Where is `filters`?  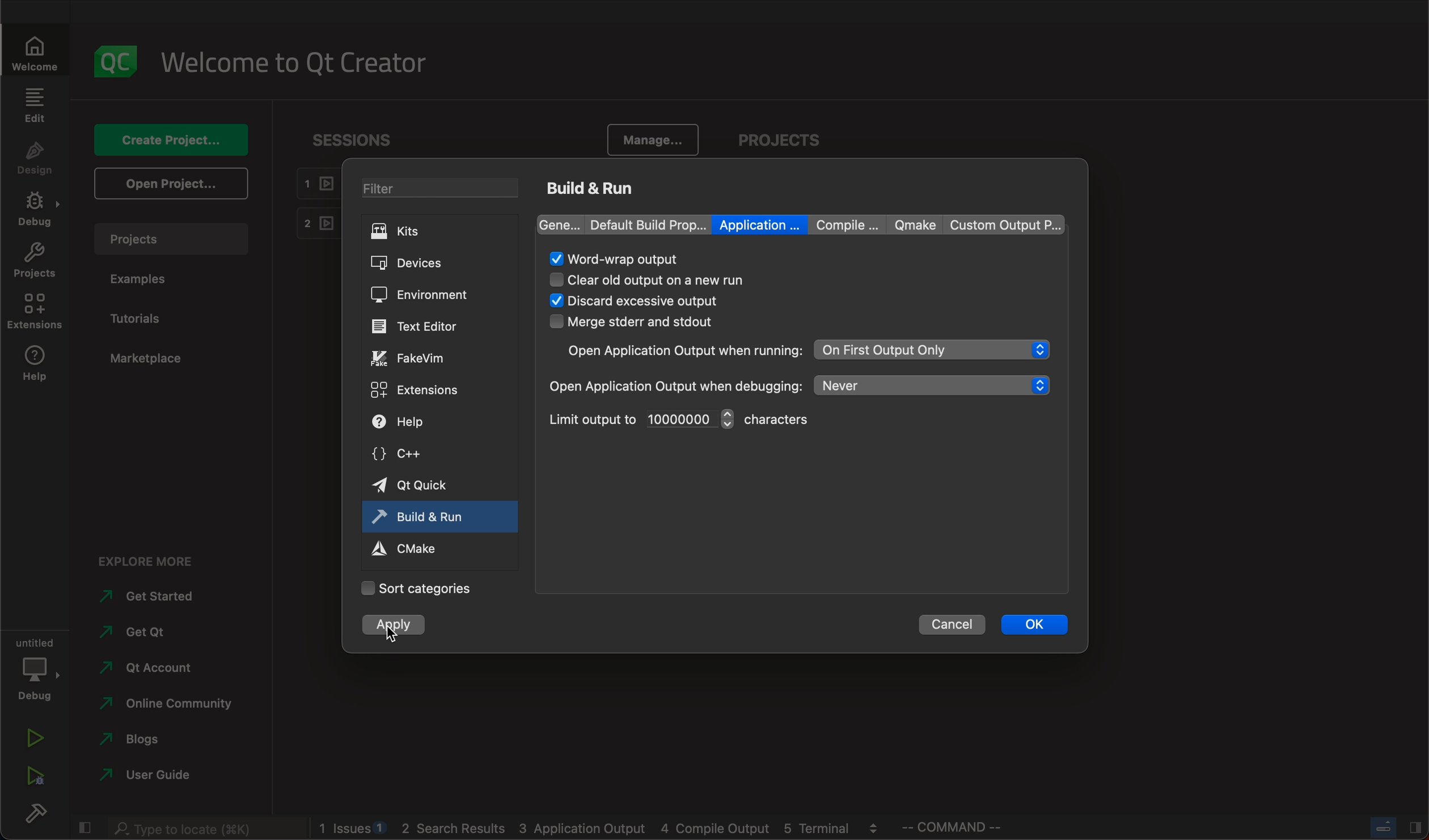
filters is located at coordinates (441, 189).